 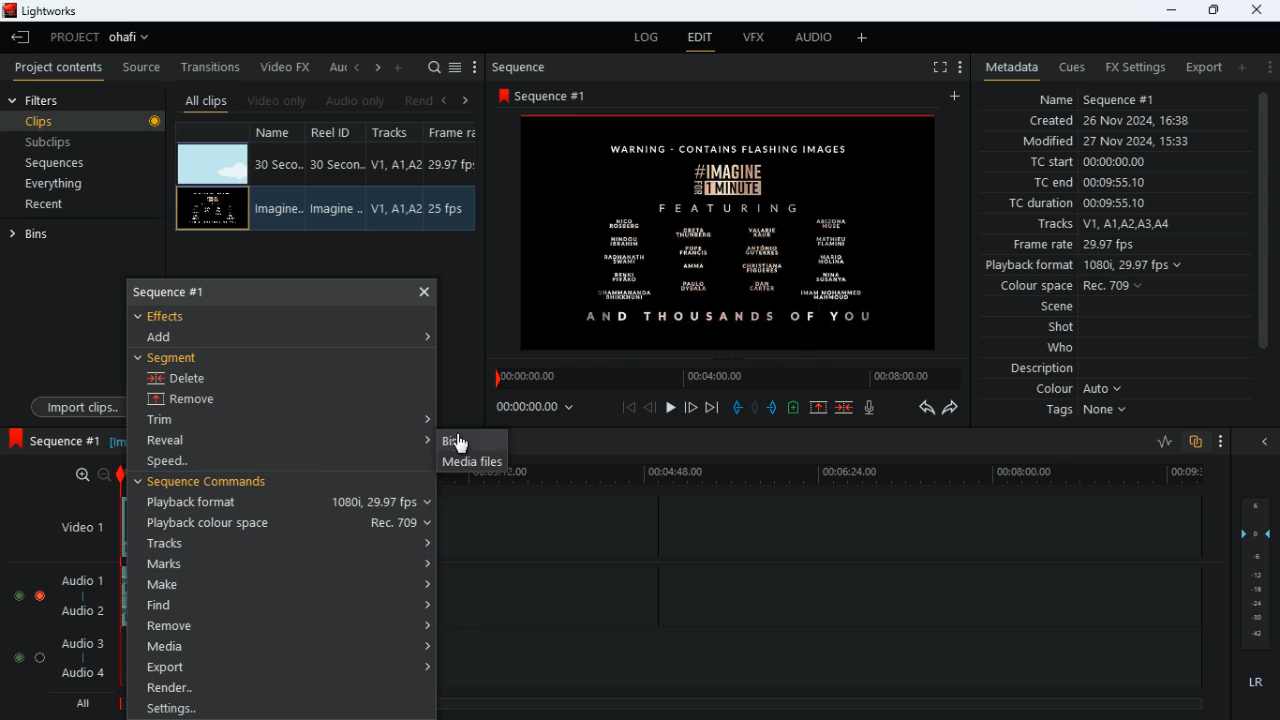 I want to click on audio 1, so click(x=85, y=584).